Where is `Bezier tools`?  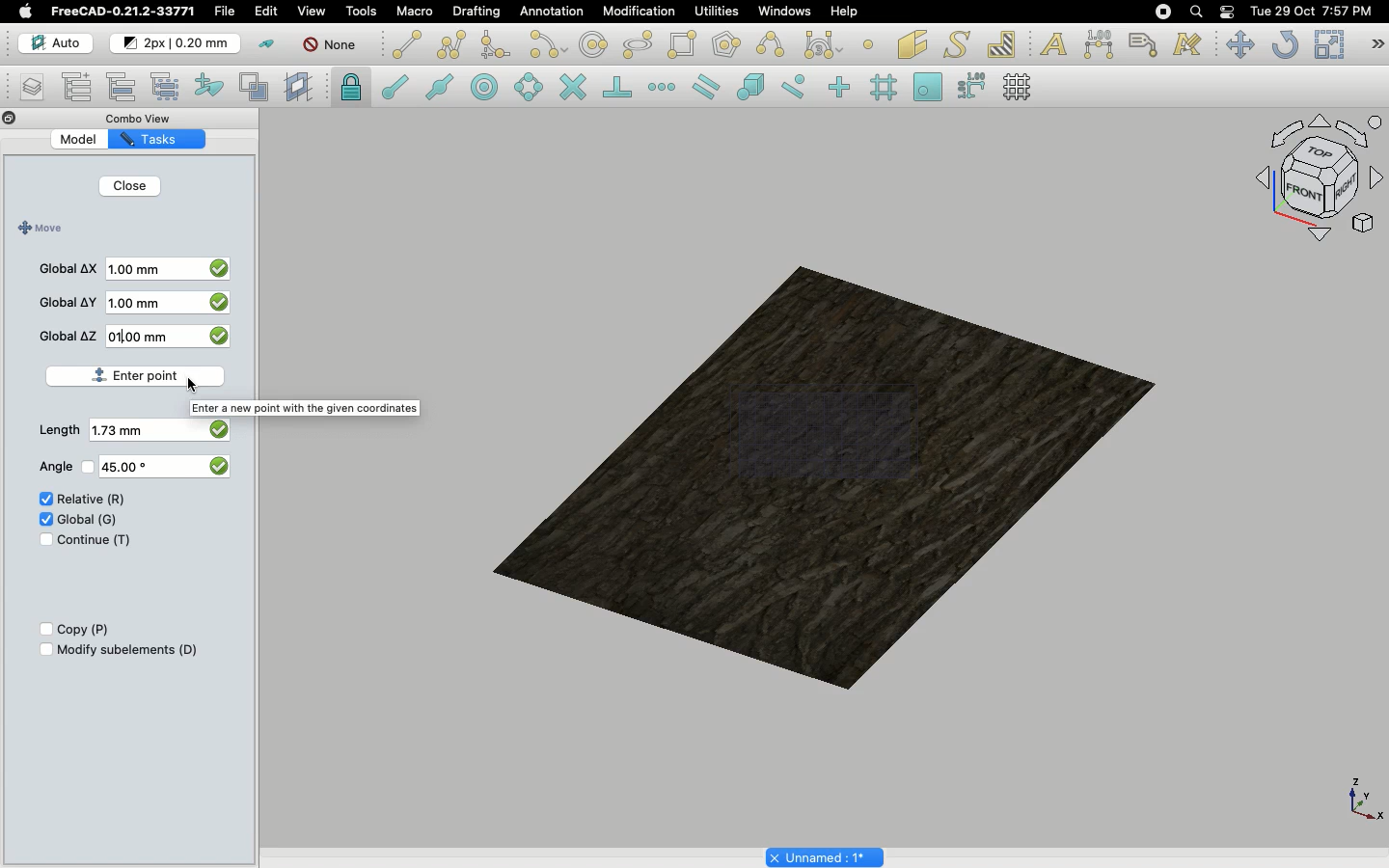 Bezier tools is located at coordinates (826, 44).